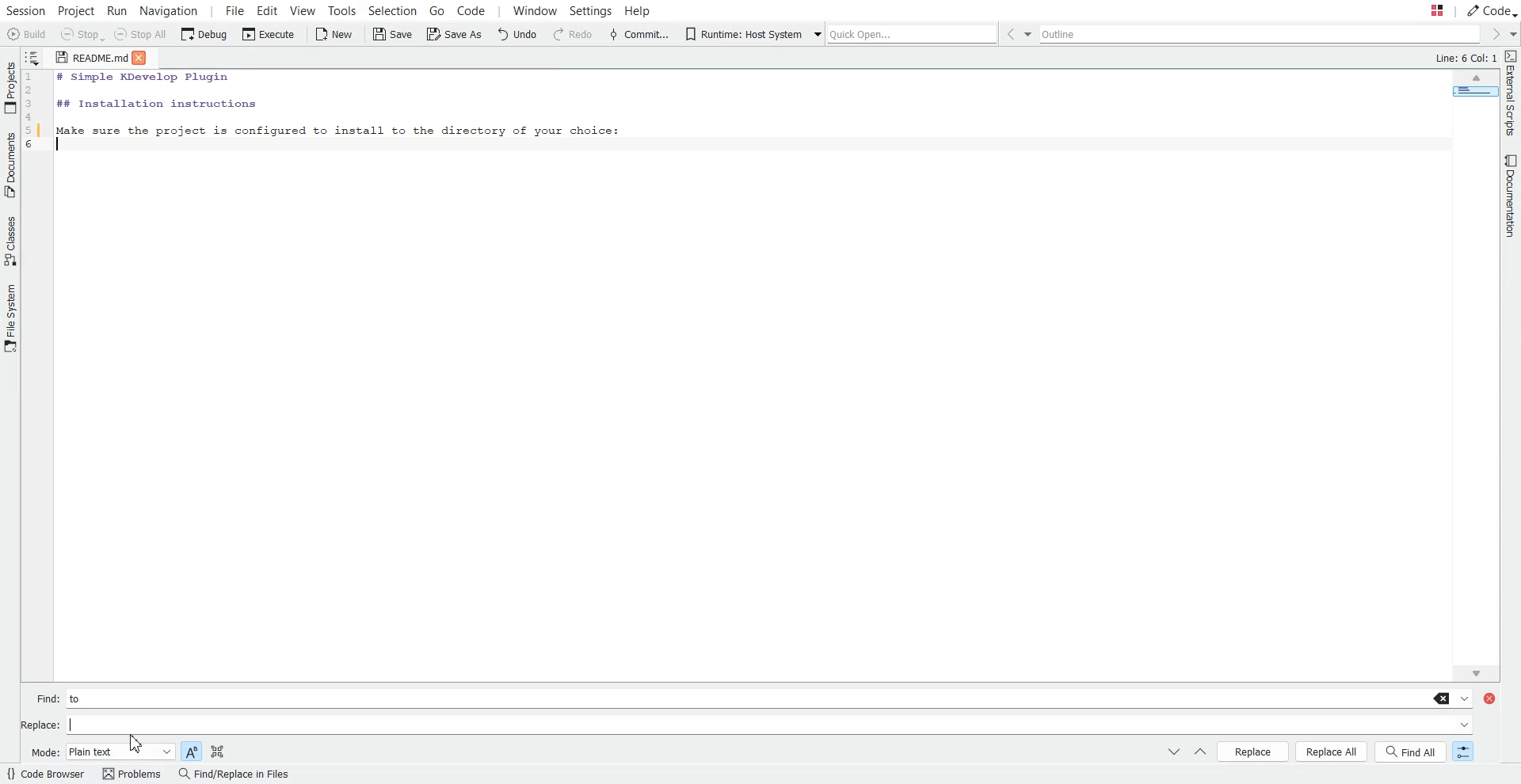 This screenshot has height=784, width=1521. I want to click on Documentation, so click(1507, 197).